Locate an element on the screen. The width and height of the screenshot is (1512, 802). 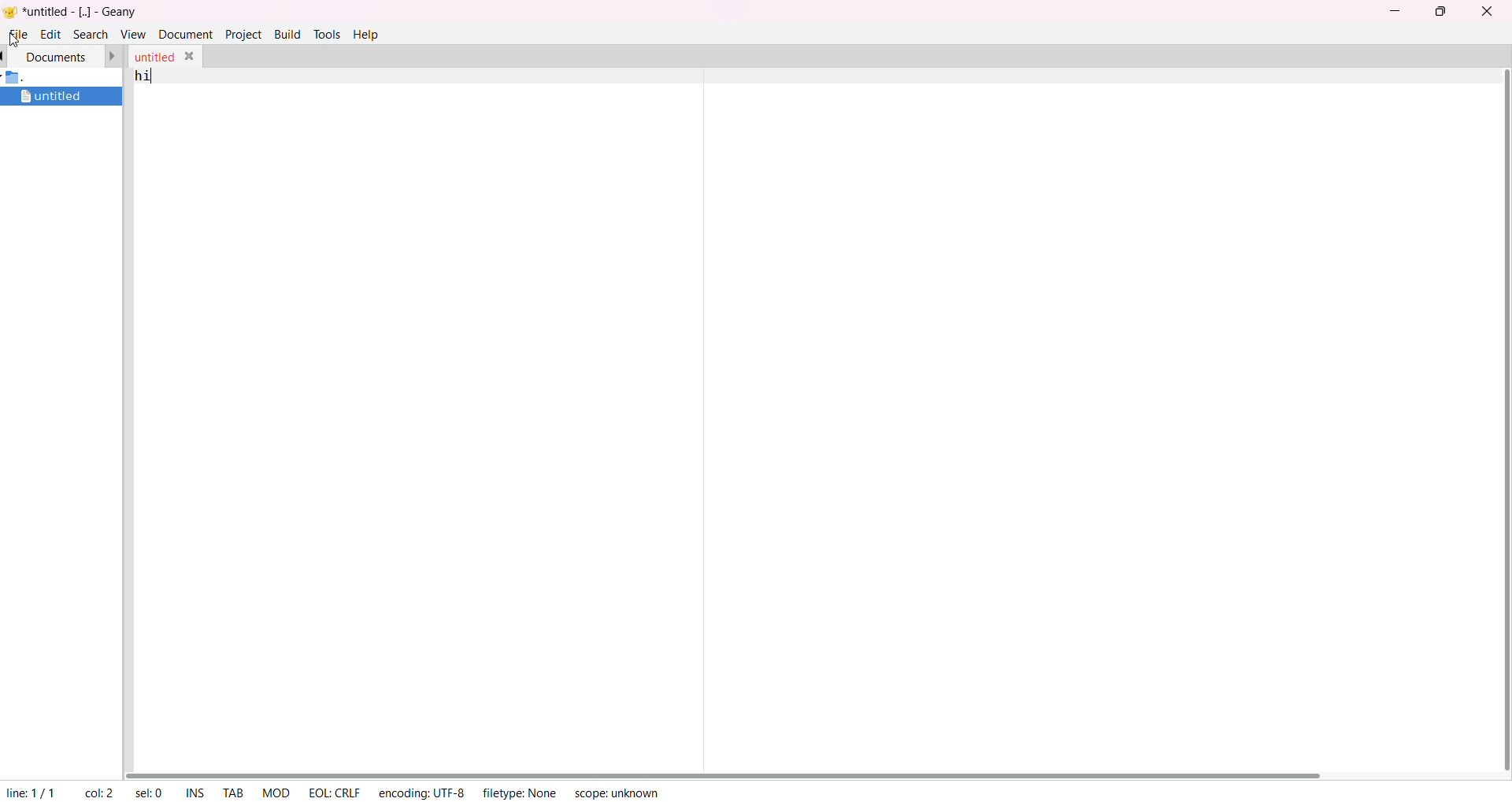
tools is located at coordinates (326, 34).